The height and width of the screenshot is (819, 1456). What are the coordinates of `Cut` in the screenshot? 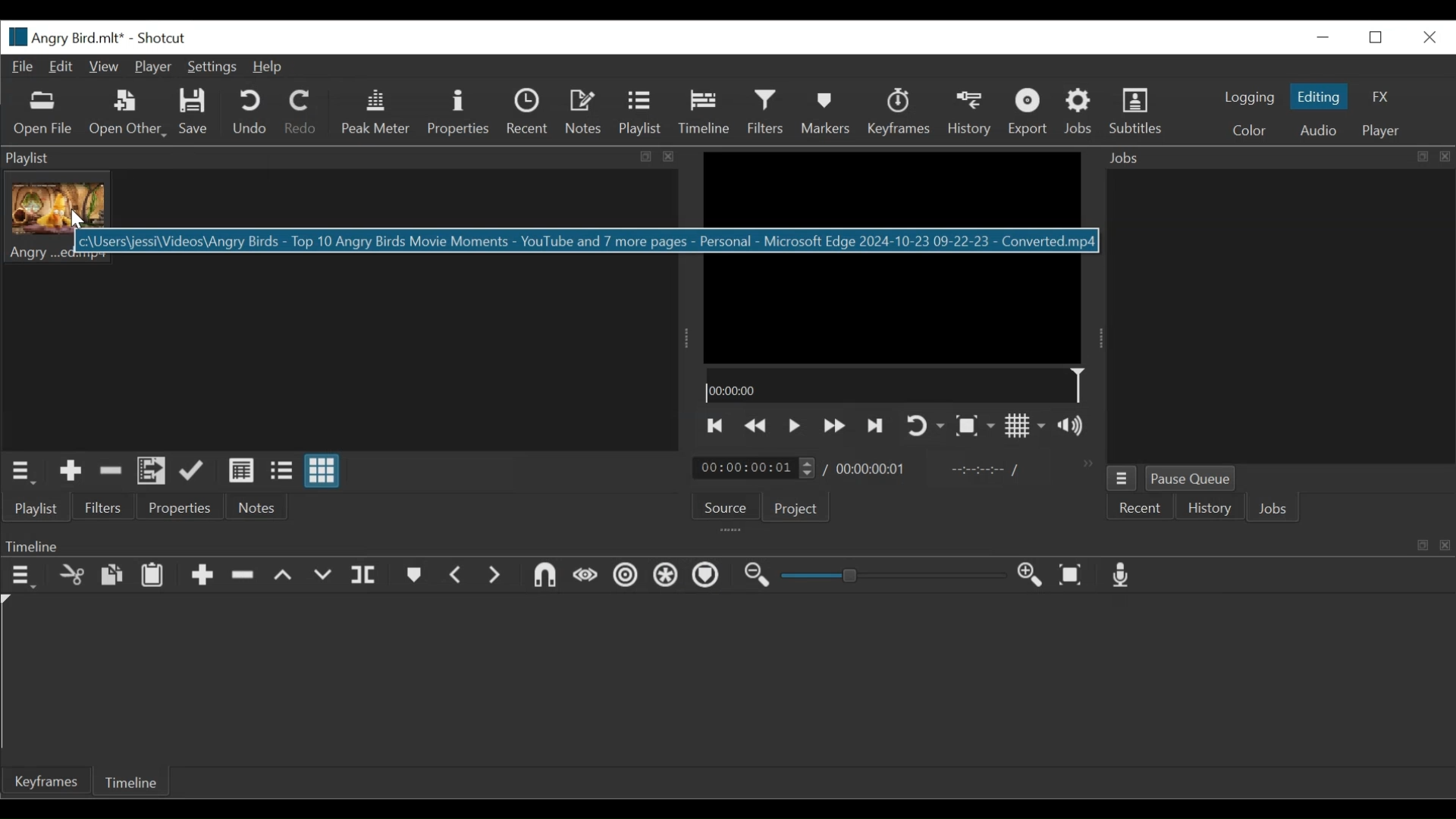 It's located at (71, 576).